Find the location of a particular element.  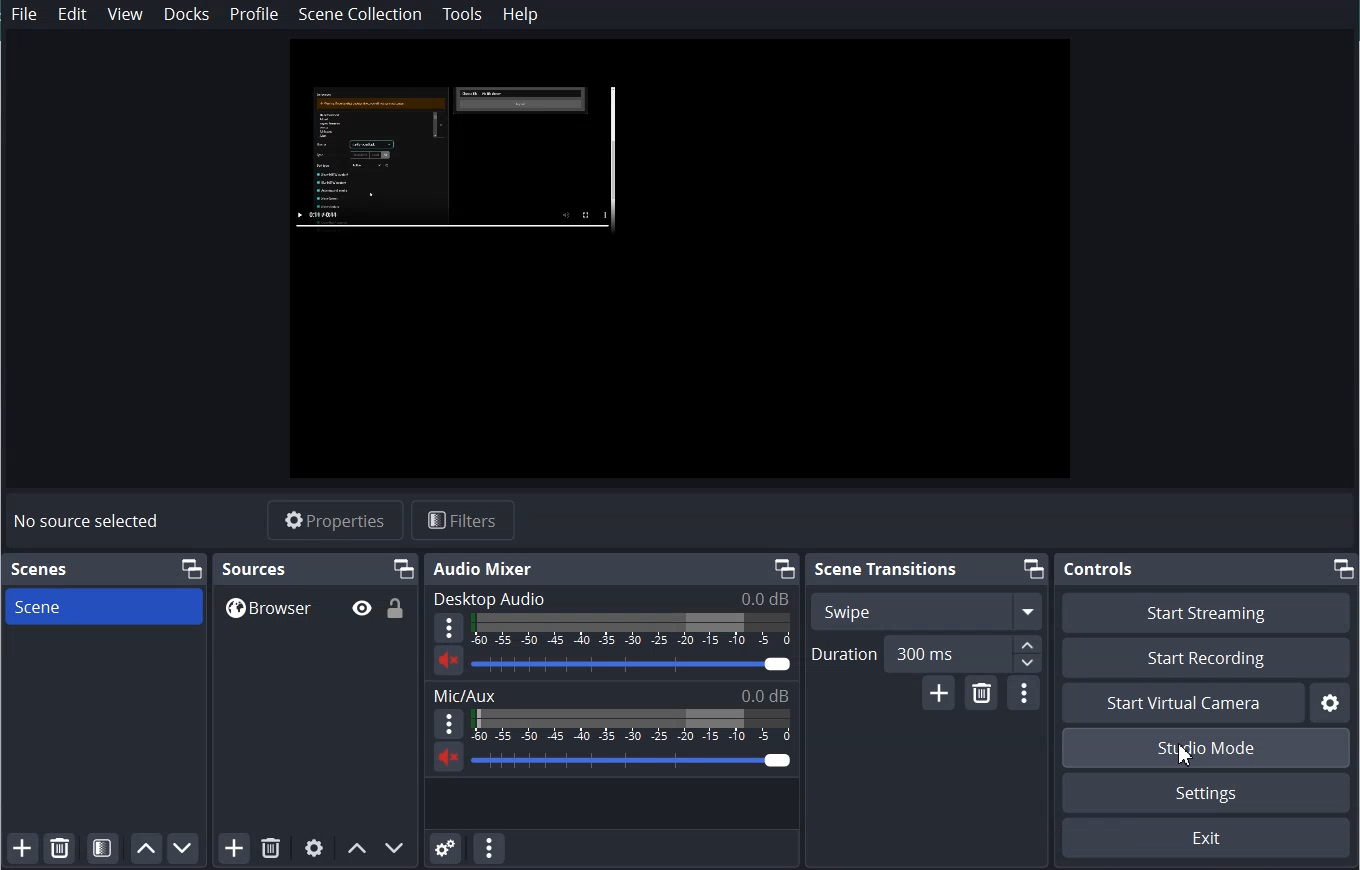

Duration is located at coordinates (926, 655).